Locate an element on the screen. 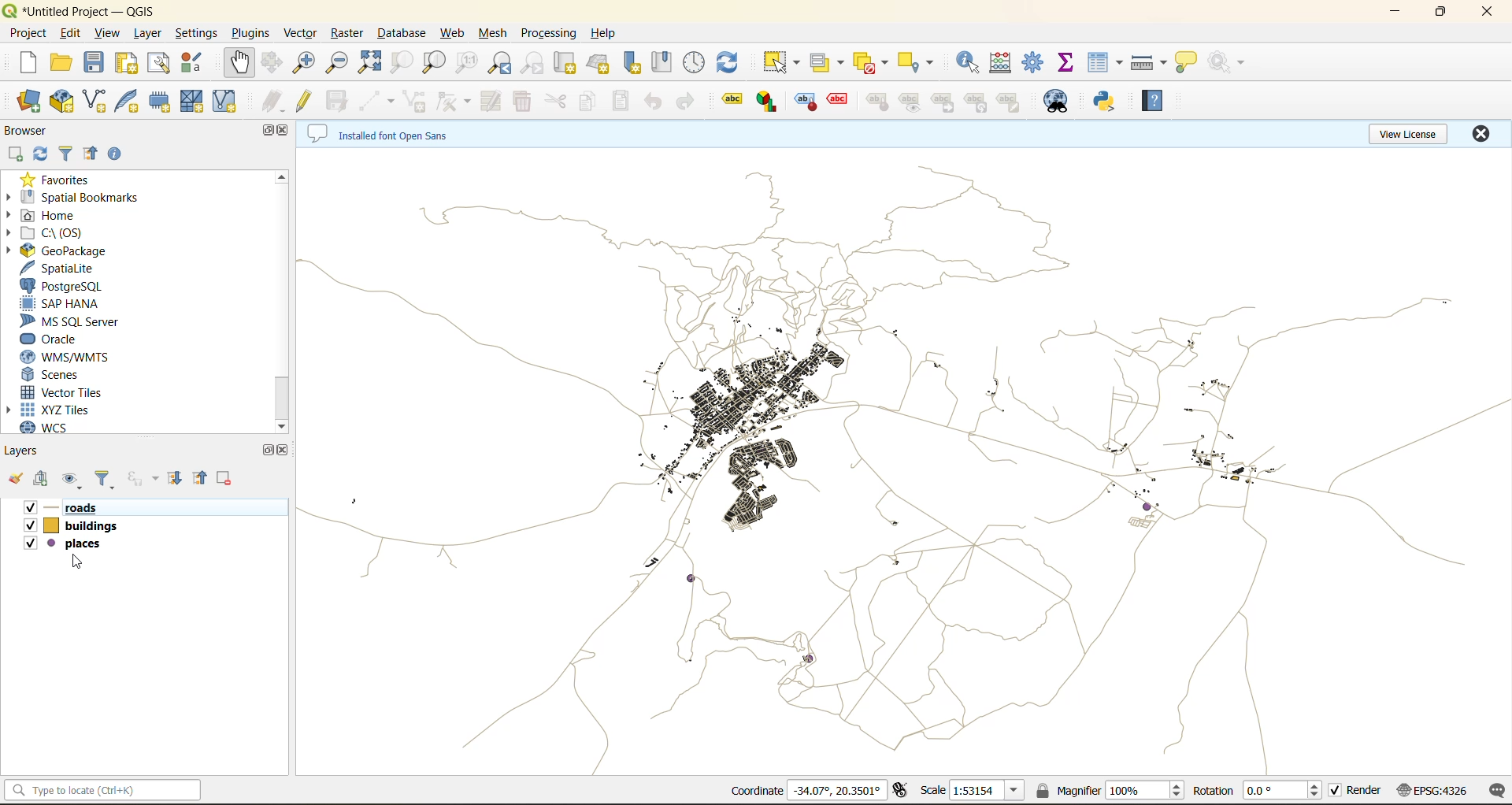 This screenshot has height=805, width=1512. toggle edits is located at coordinates (306, 101).